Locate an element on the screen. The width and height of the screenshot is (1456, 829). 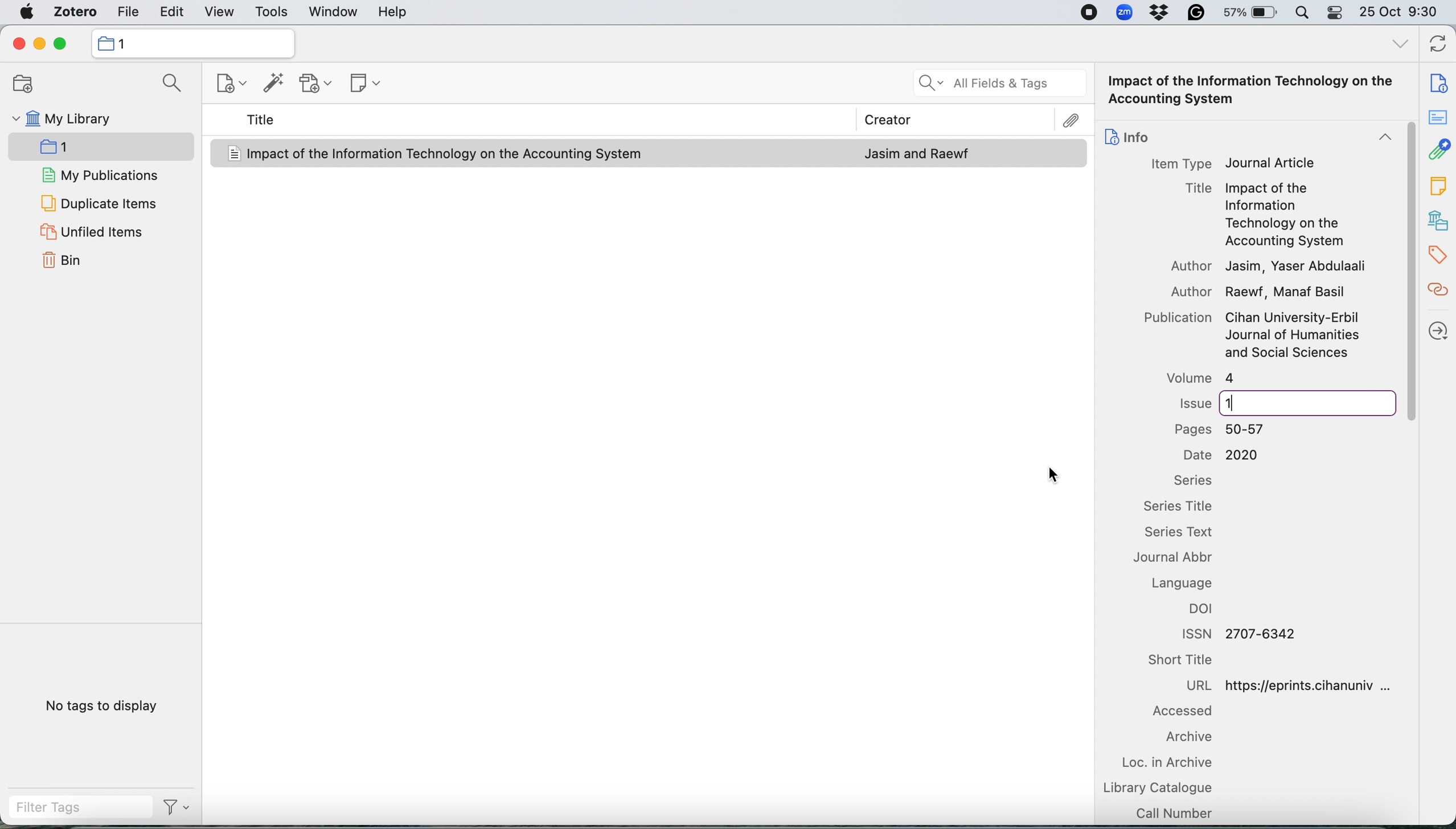
journal article author is located at coordinates (917, 154).